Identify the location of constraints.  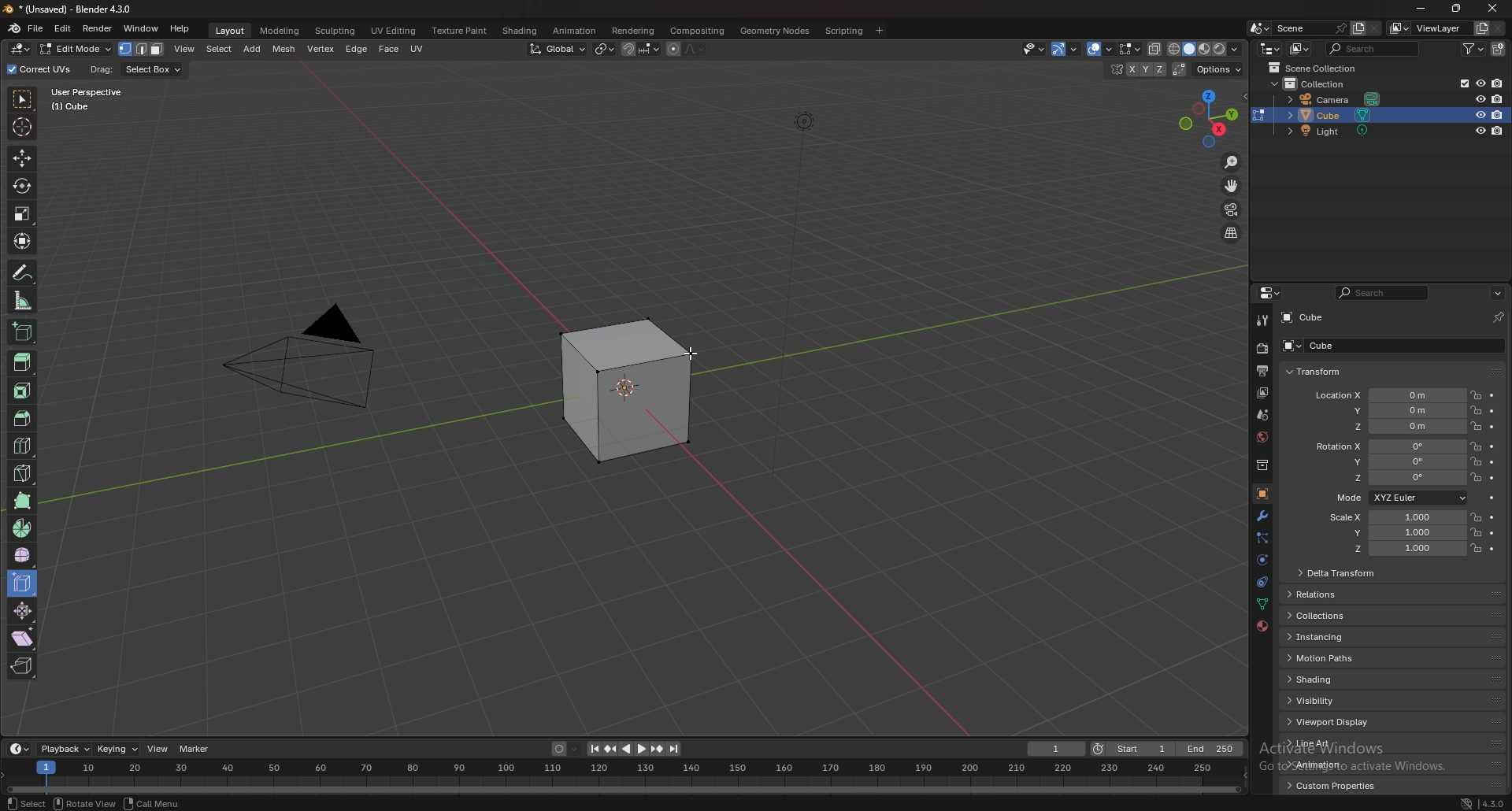
(1262, 581).